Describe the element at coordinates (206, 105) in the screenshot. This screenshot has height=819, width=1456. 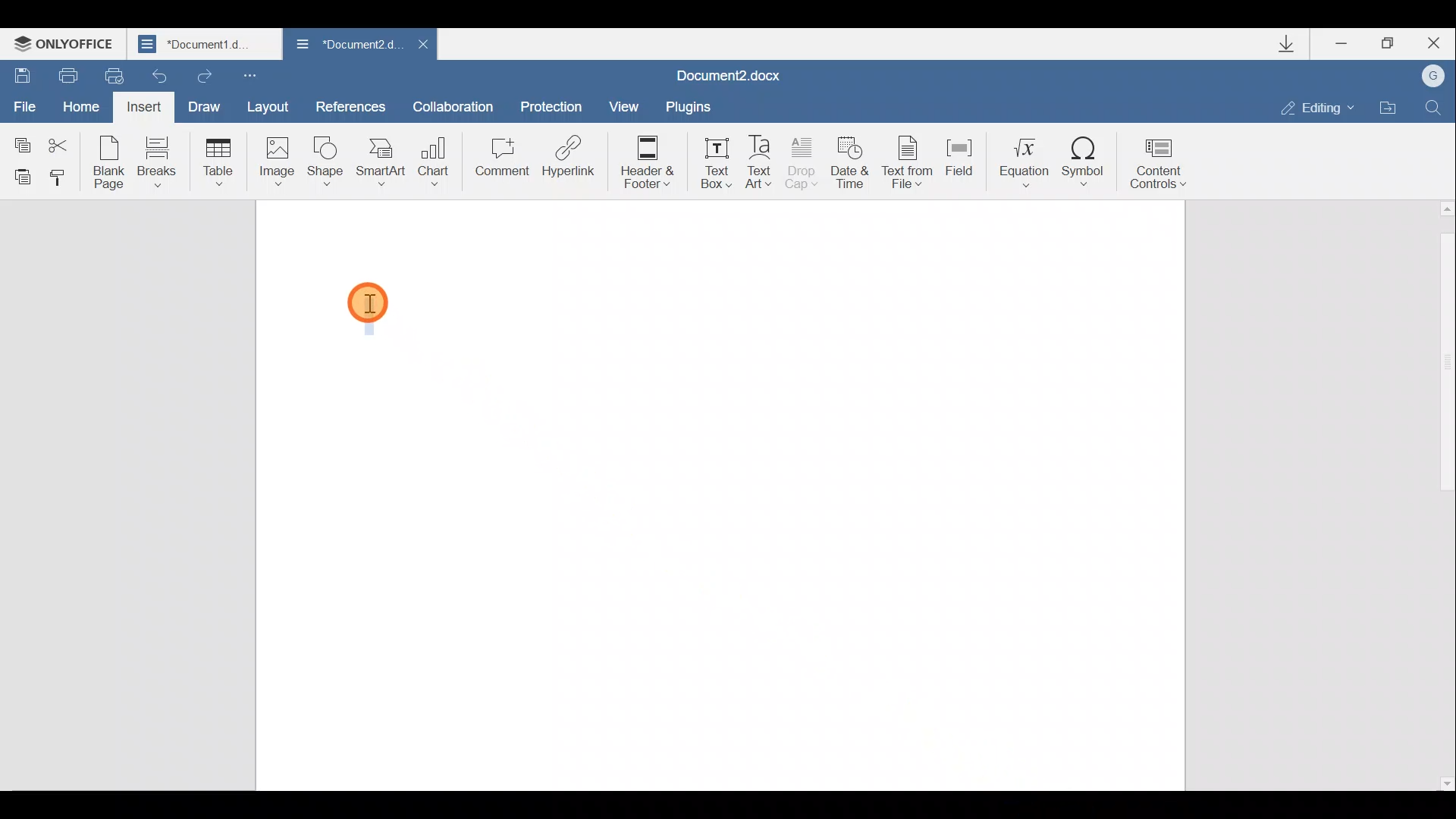
I see `Draw` at that location.